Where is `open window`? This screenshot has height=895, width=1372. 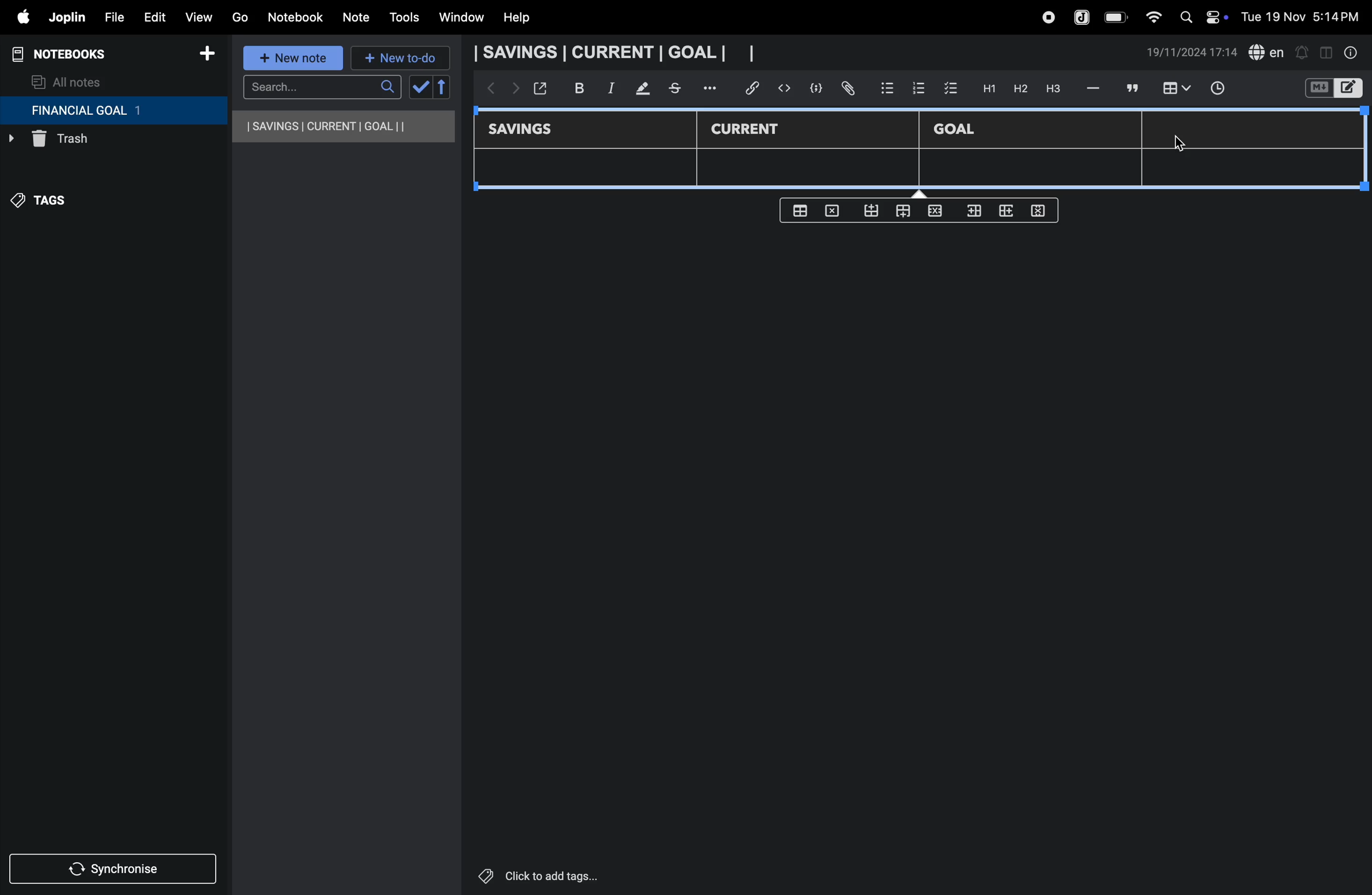
open window is located at coordinates (539, 88).